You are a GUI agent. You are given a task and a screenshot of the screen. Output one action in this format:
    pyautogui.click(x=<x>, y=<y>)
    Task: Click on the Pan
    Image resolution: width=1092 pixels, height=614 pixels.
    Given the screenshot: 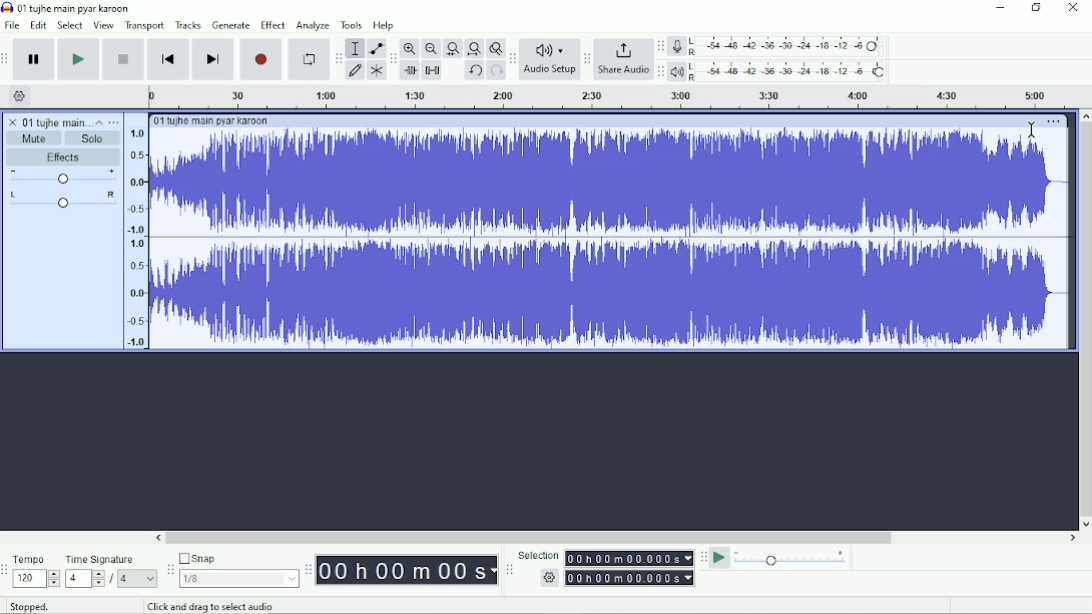 What is the action you would take?
    pyautogui.click(x=60, y=200)
    